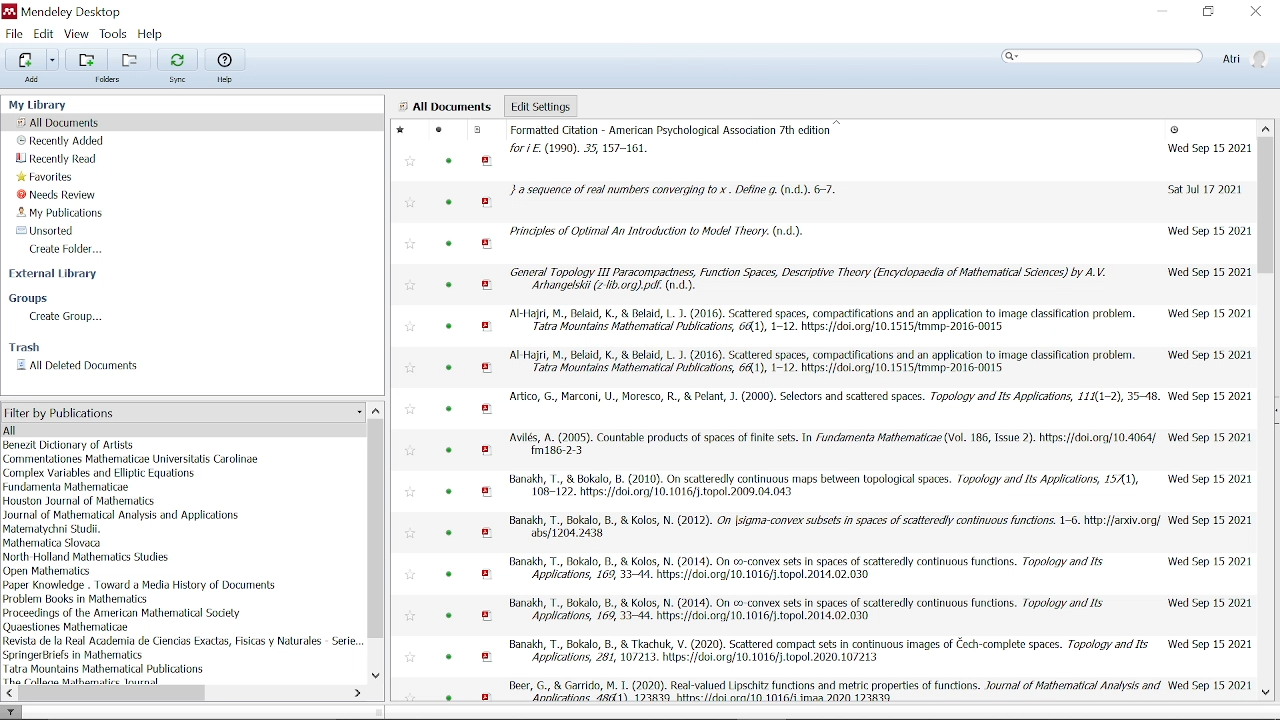 This screenshot has width=1280, height=720. What do you see at coordinates (225, 78) in the screenshot?
I see `help` at bounding box center [225, 78].